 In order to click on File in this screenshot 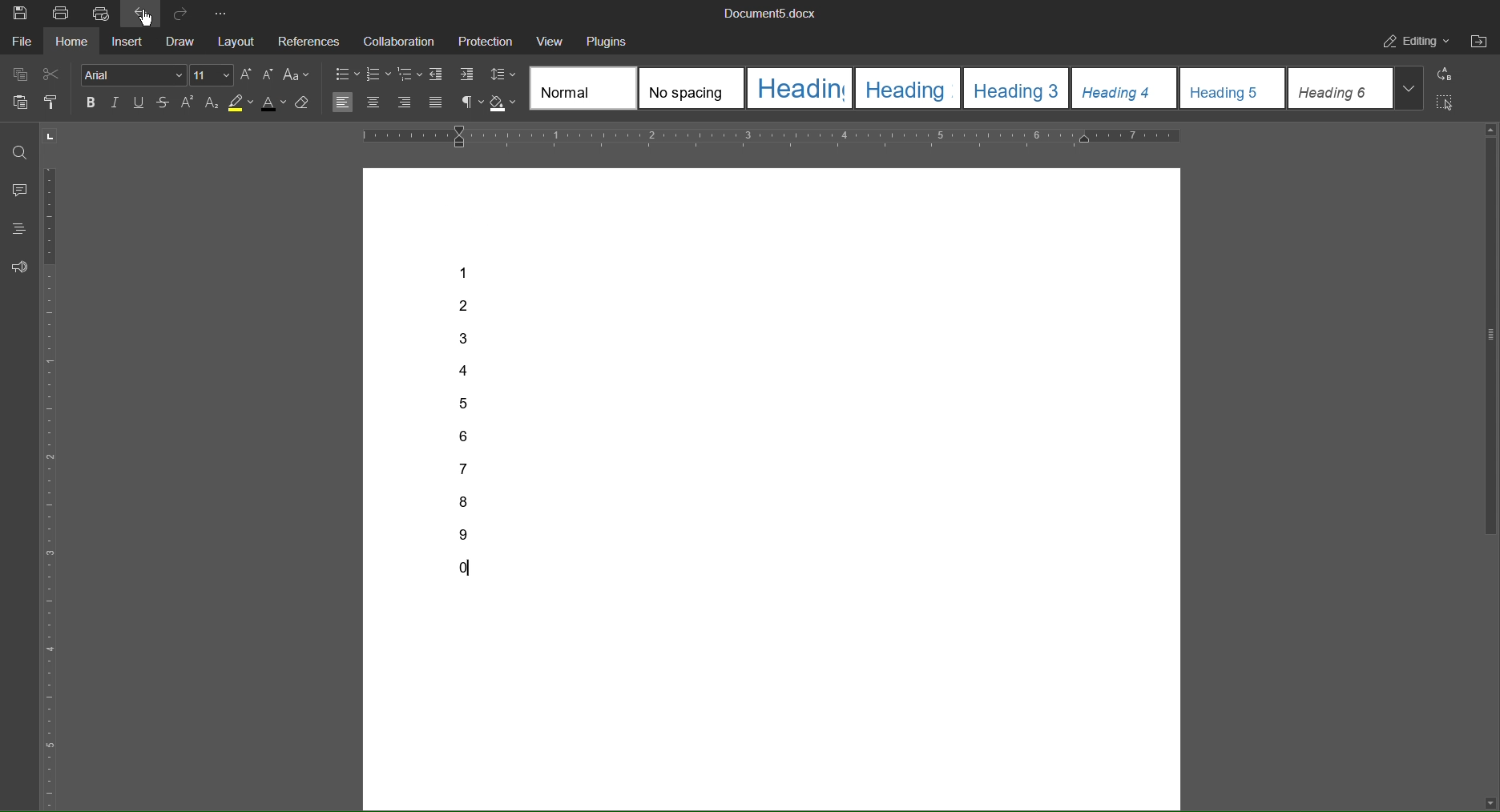, I will do `click(22, 41)`.